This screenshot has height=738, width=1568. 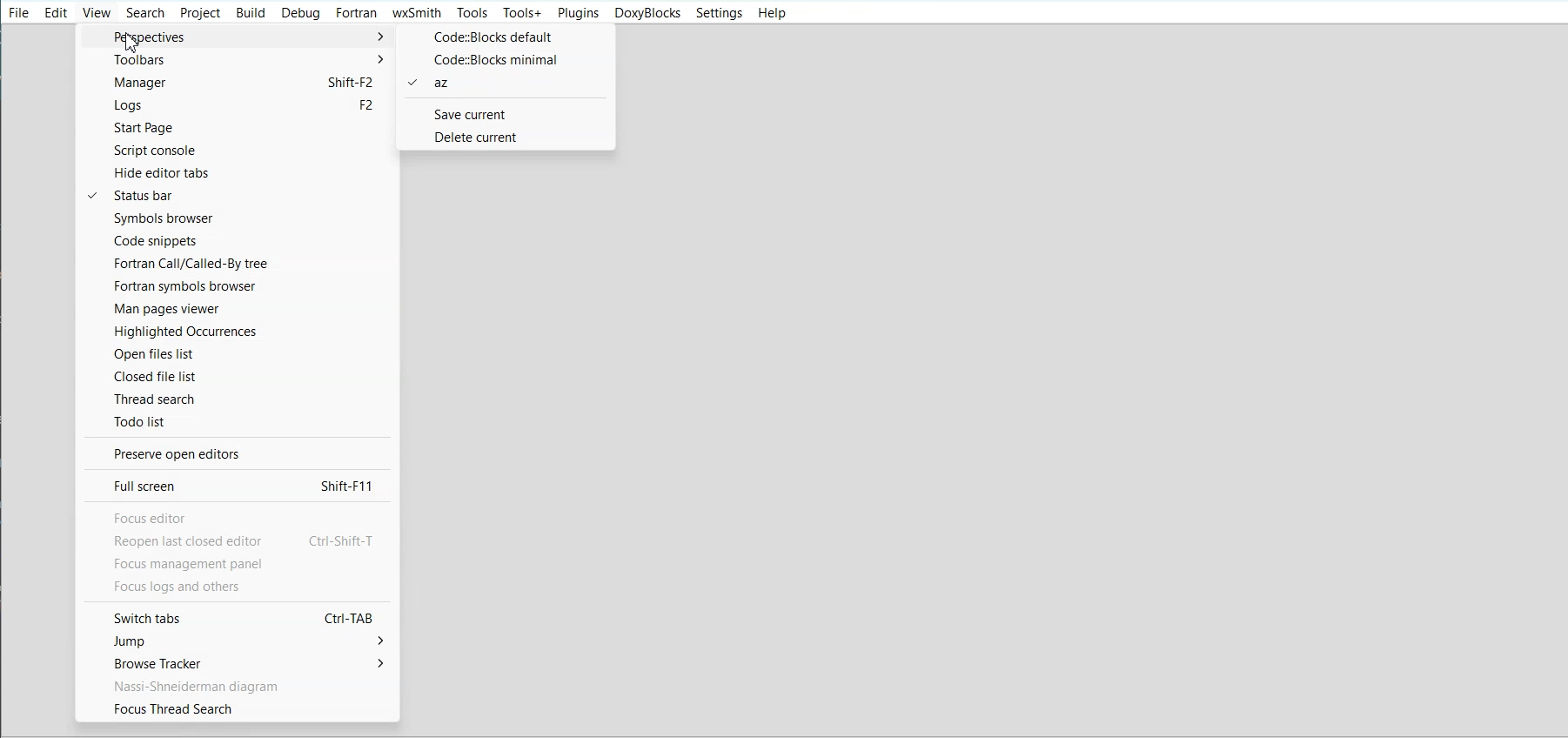 What do you see at coordinates (504, 62) in the screenshot?
I see `Code:: Blocks minimal` at bounding box center [504, 62].